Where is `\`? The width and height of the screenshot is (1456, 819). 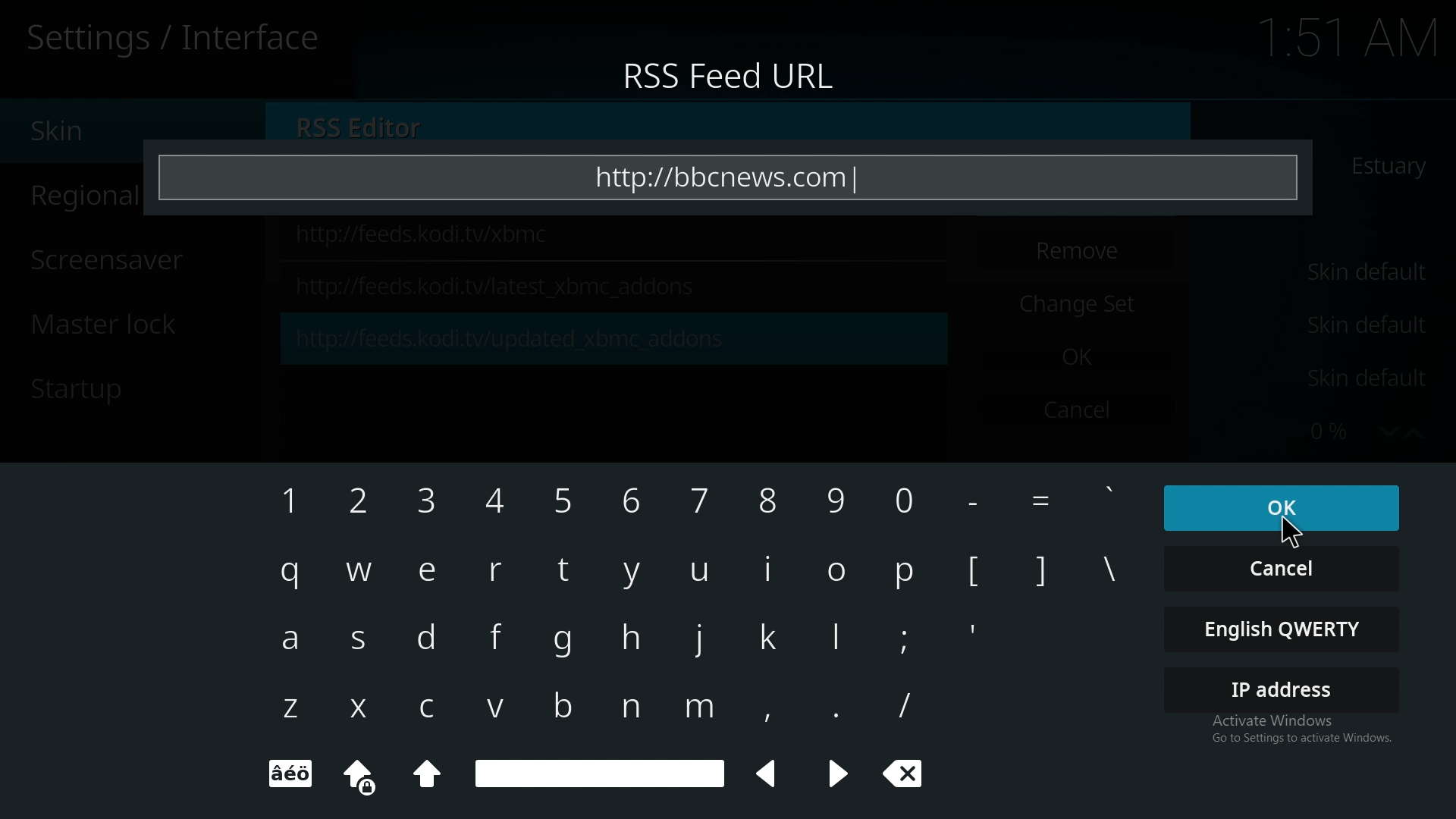 \ is located at coordinates (1110, 569).